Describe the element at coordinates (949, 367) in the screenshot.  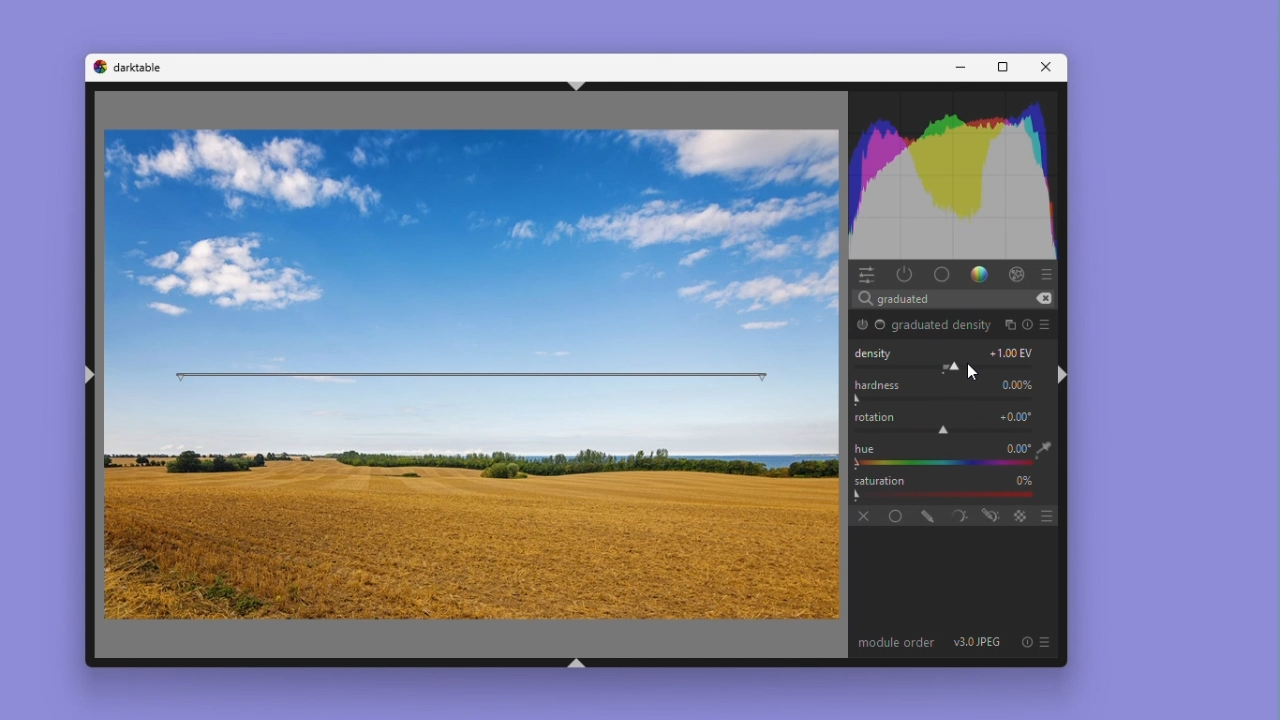
I see `Module Parameter Adjustment Slider` at that location.